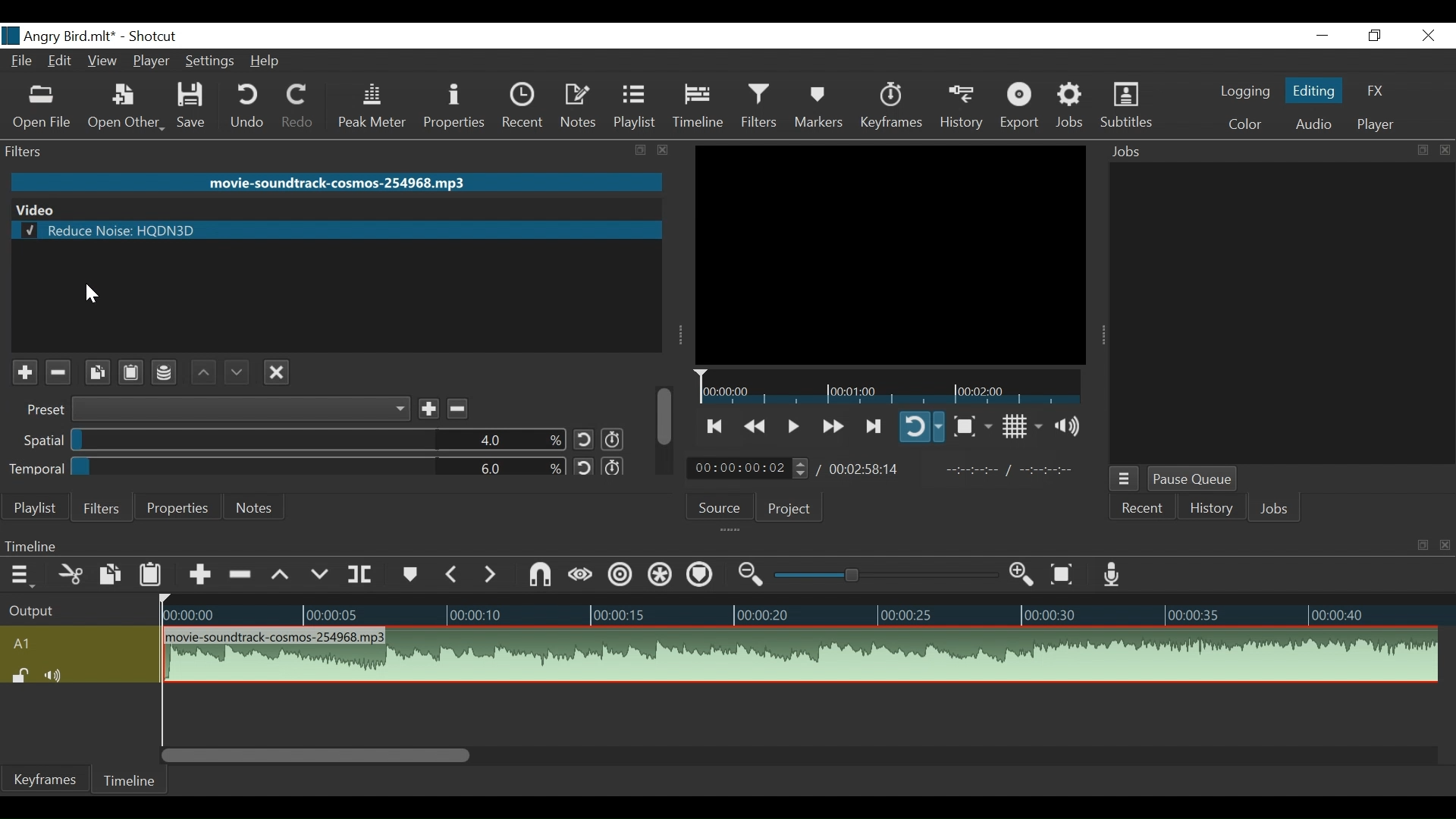 The height and width of the screenshot is (819, 1456). What do you see at coordinates (581, 575) in the screenshot?
I see `Scrub while dragging` at bounding box center [581, 575].